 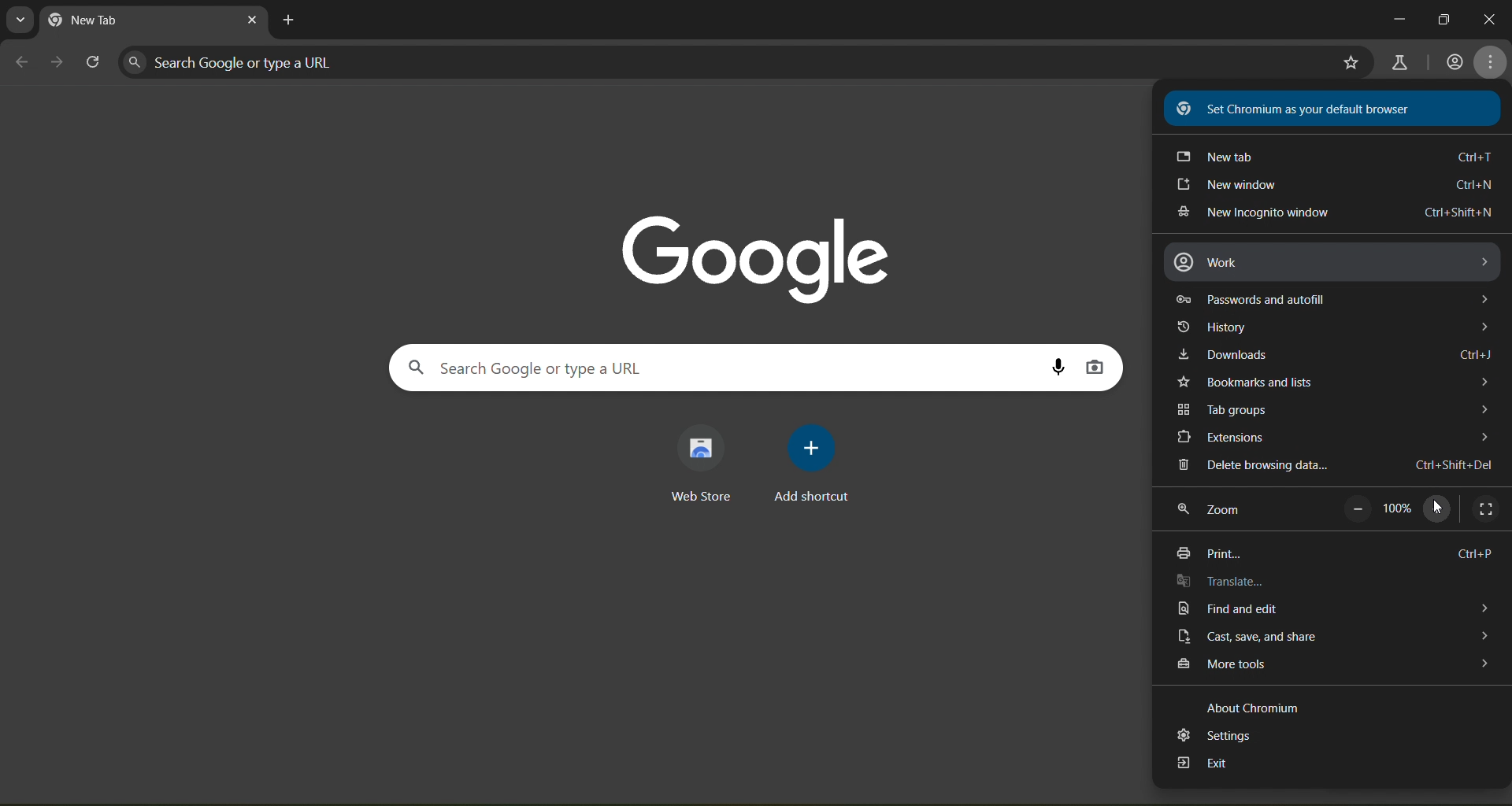 What do you see at coordinates (117, 21) in the screenshot?
I see `current tab` at bounding box center [117, 21].